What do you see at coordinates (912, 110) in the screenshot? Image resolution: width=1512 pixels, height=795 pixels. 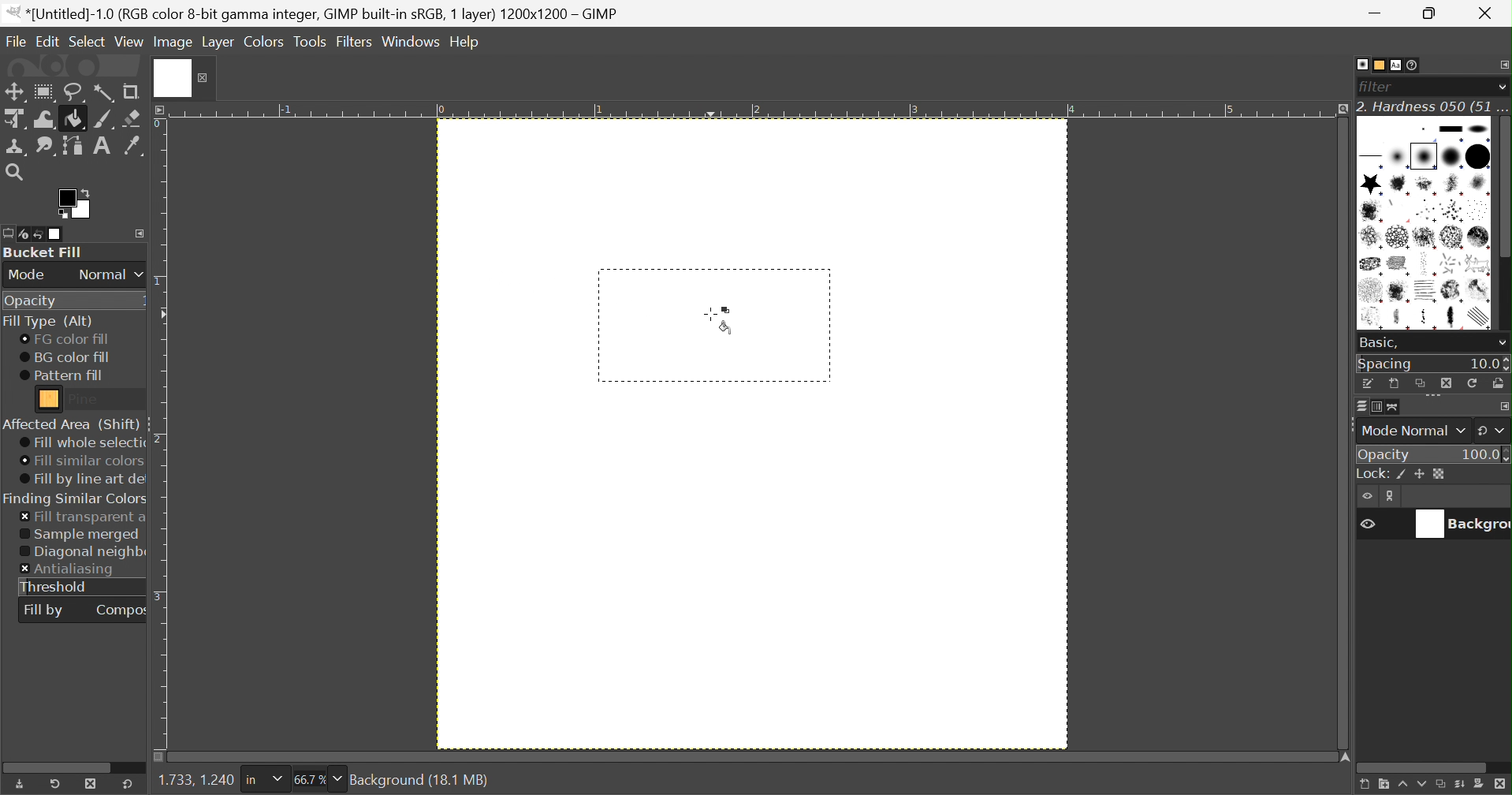 I see `3` at bounding box center [912, 110].